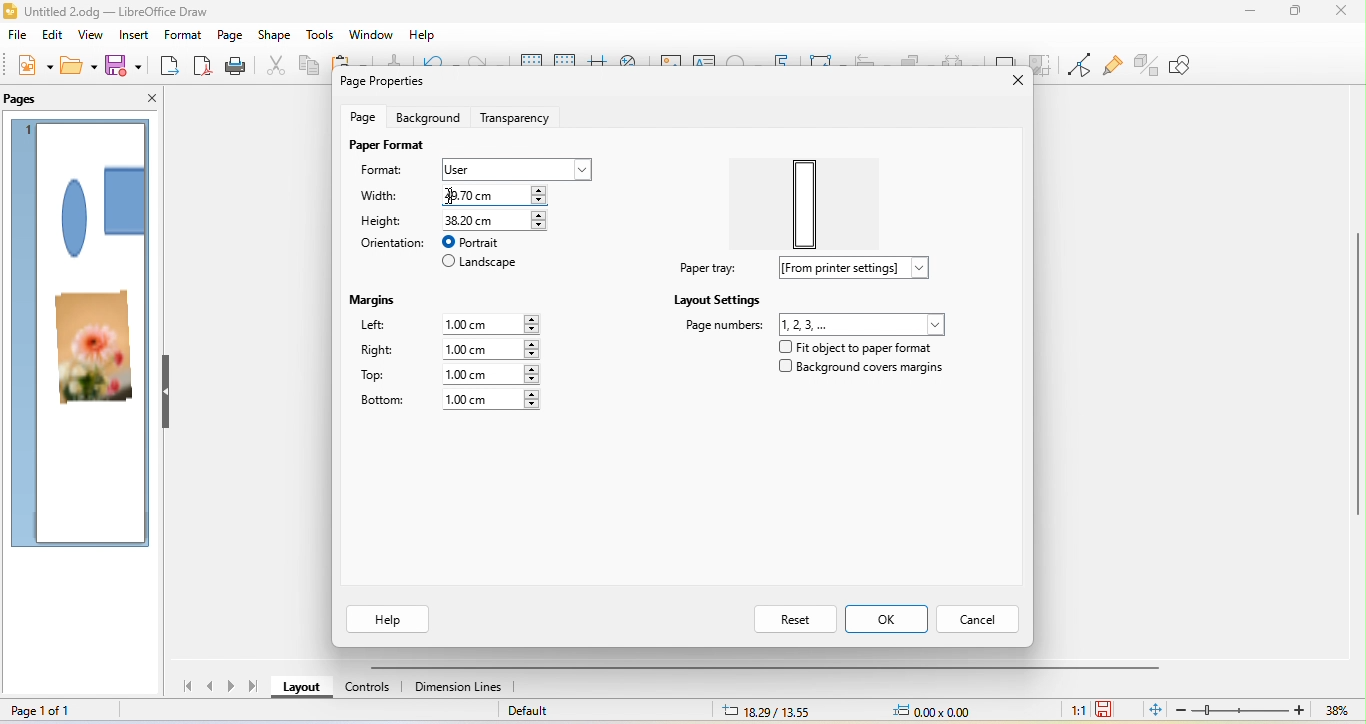  Describe the element at coordinates (58, 710) in the screenshot. I see `page 1 of 1` at that location.